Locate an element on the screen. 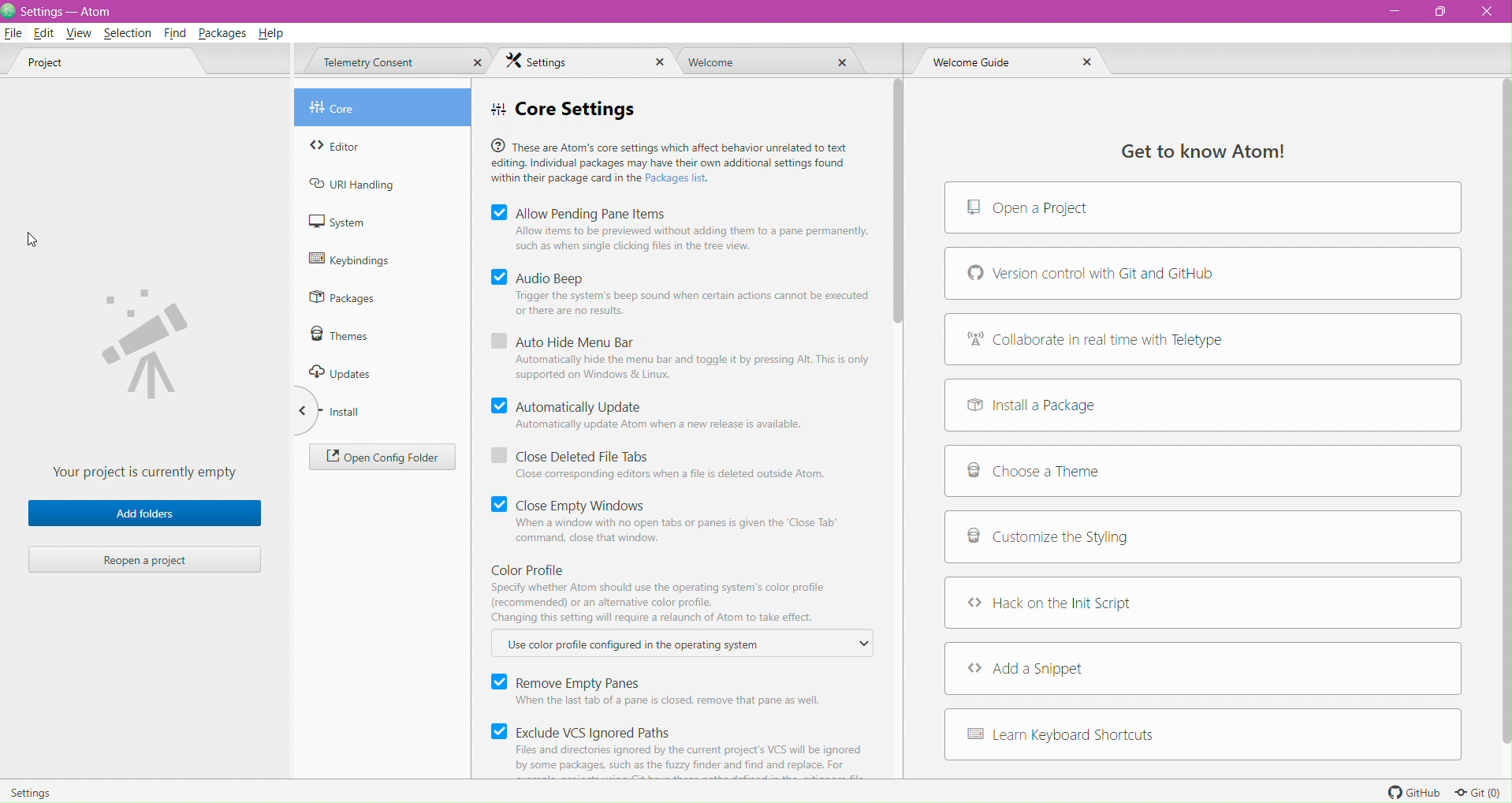 The width and height of the screenshot is (1512, 803). Learn Keyboard Shortcuts is located at coordinates (1204, 736).